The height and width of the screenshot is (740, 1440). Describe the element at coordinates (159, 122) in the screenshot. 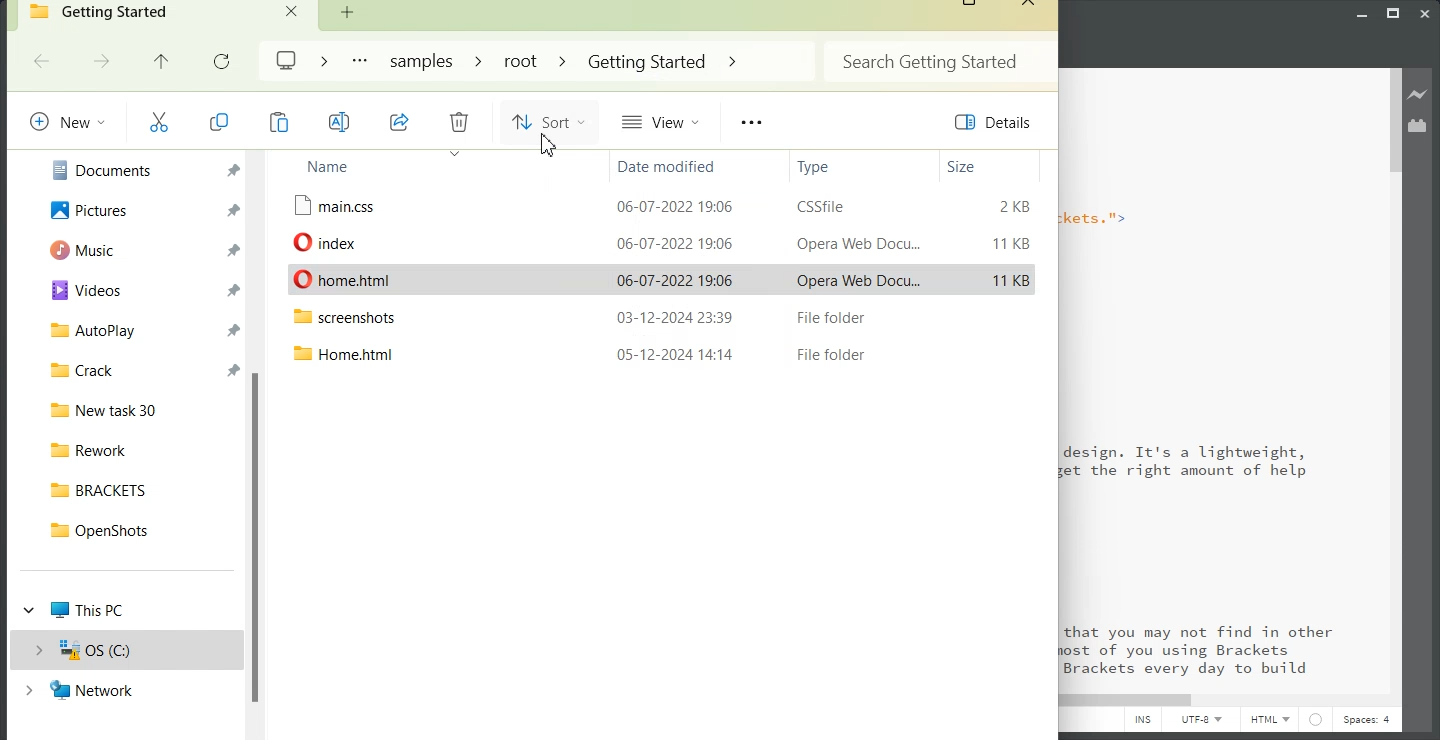

I see `Cut` at that location.